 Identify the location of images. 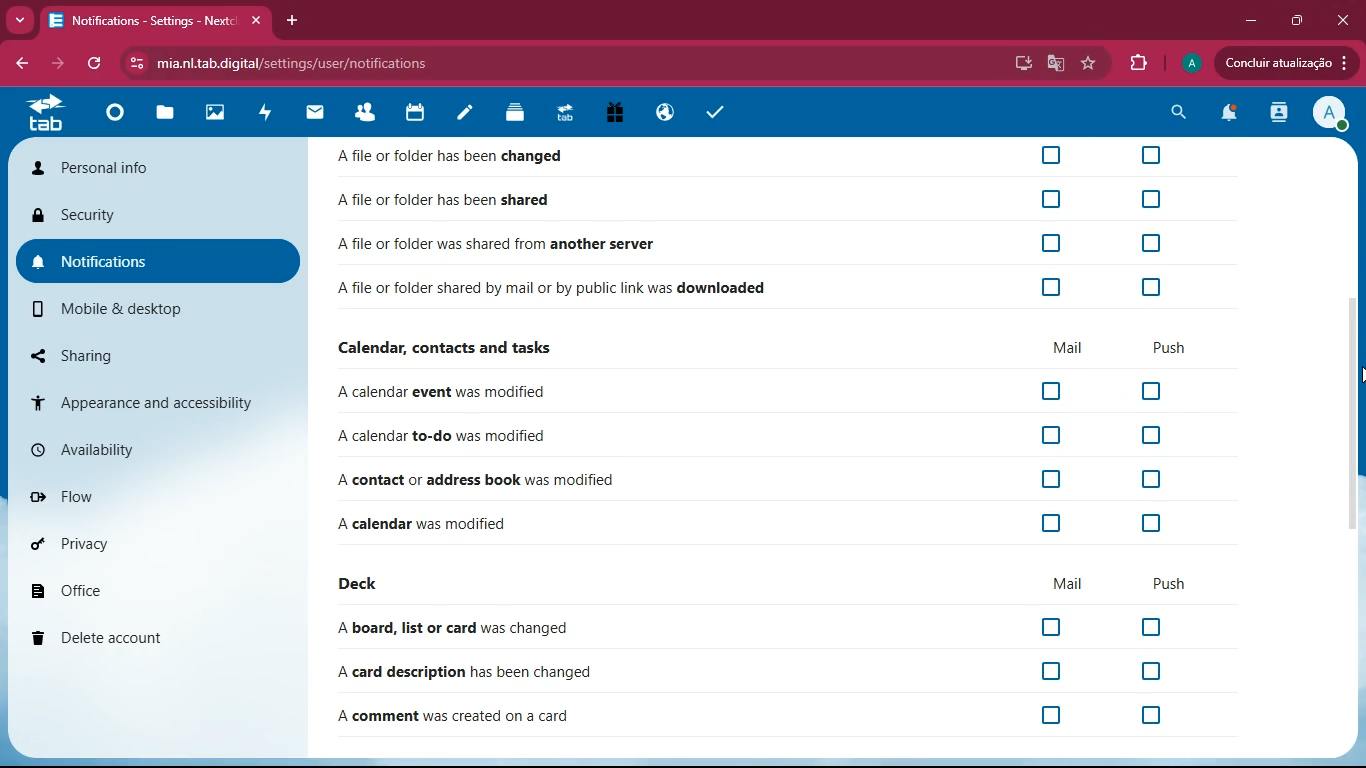
(213, 112).